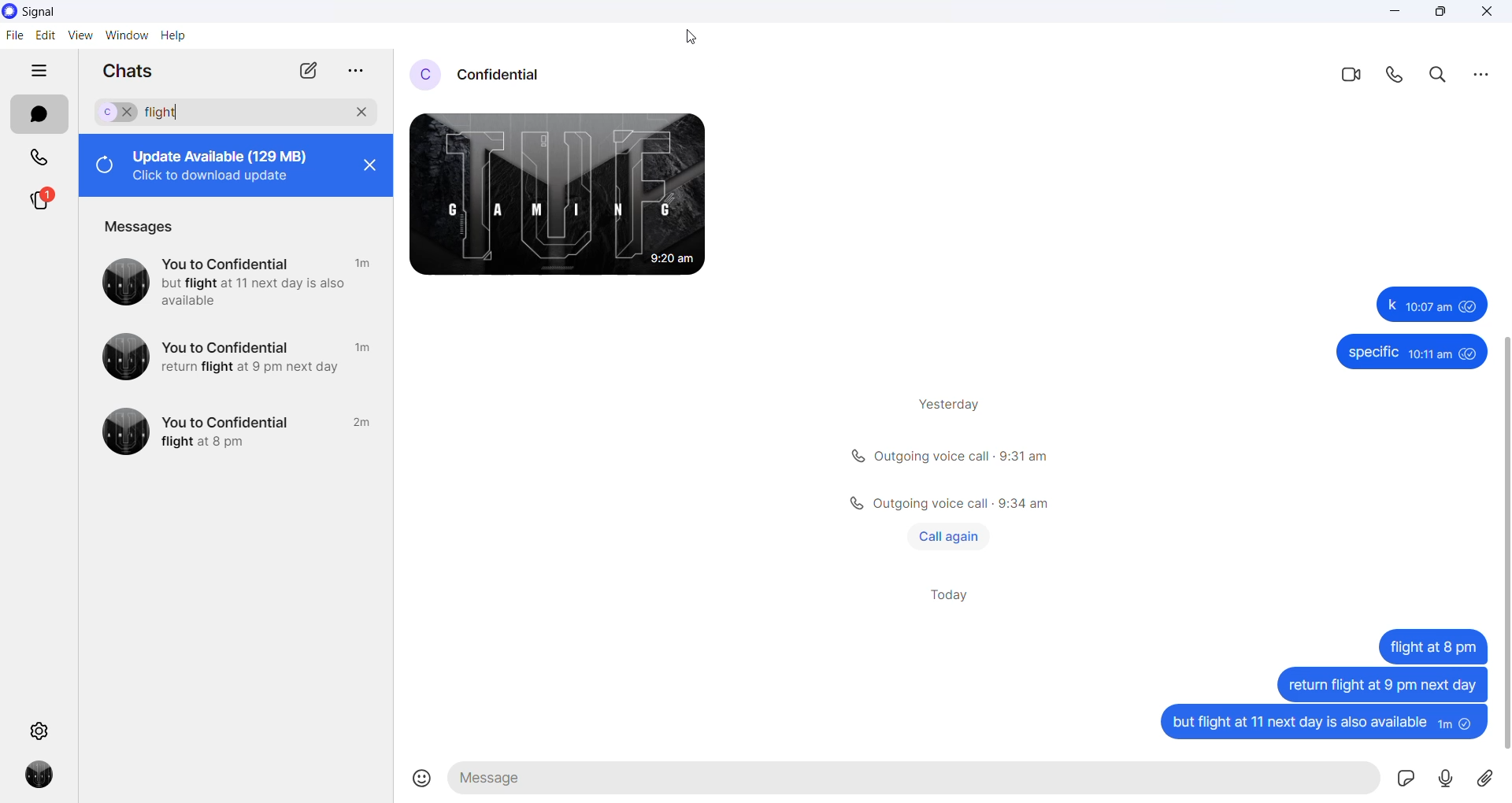 The image size is (1512, 803). What do you see at coordinates (39, 72) in the screenshot?
I see `hide tabs` at bounding box center [39, 72].